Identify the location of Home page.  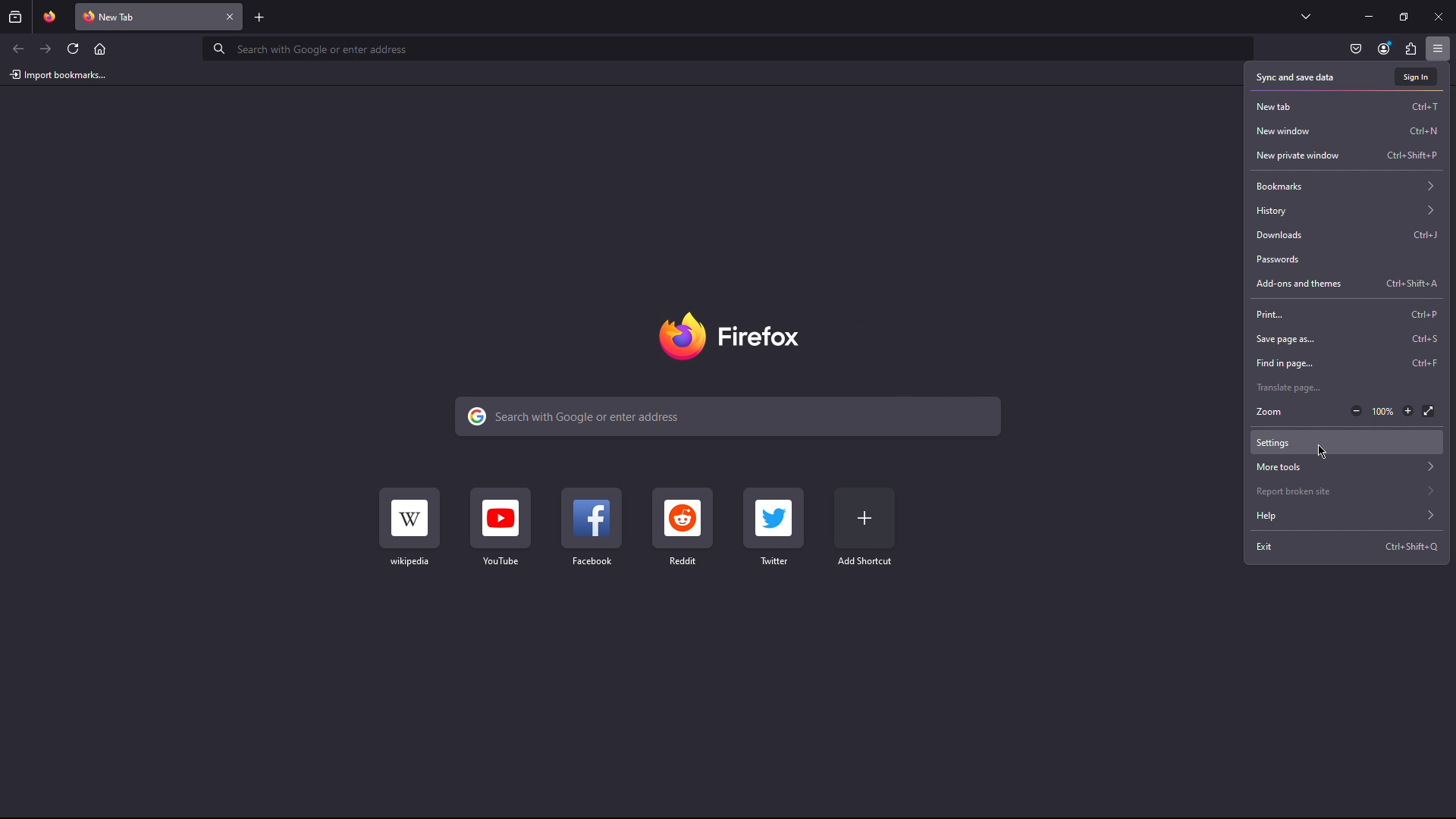
(99, 48).